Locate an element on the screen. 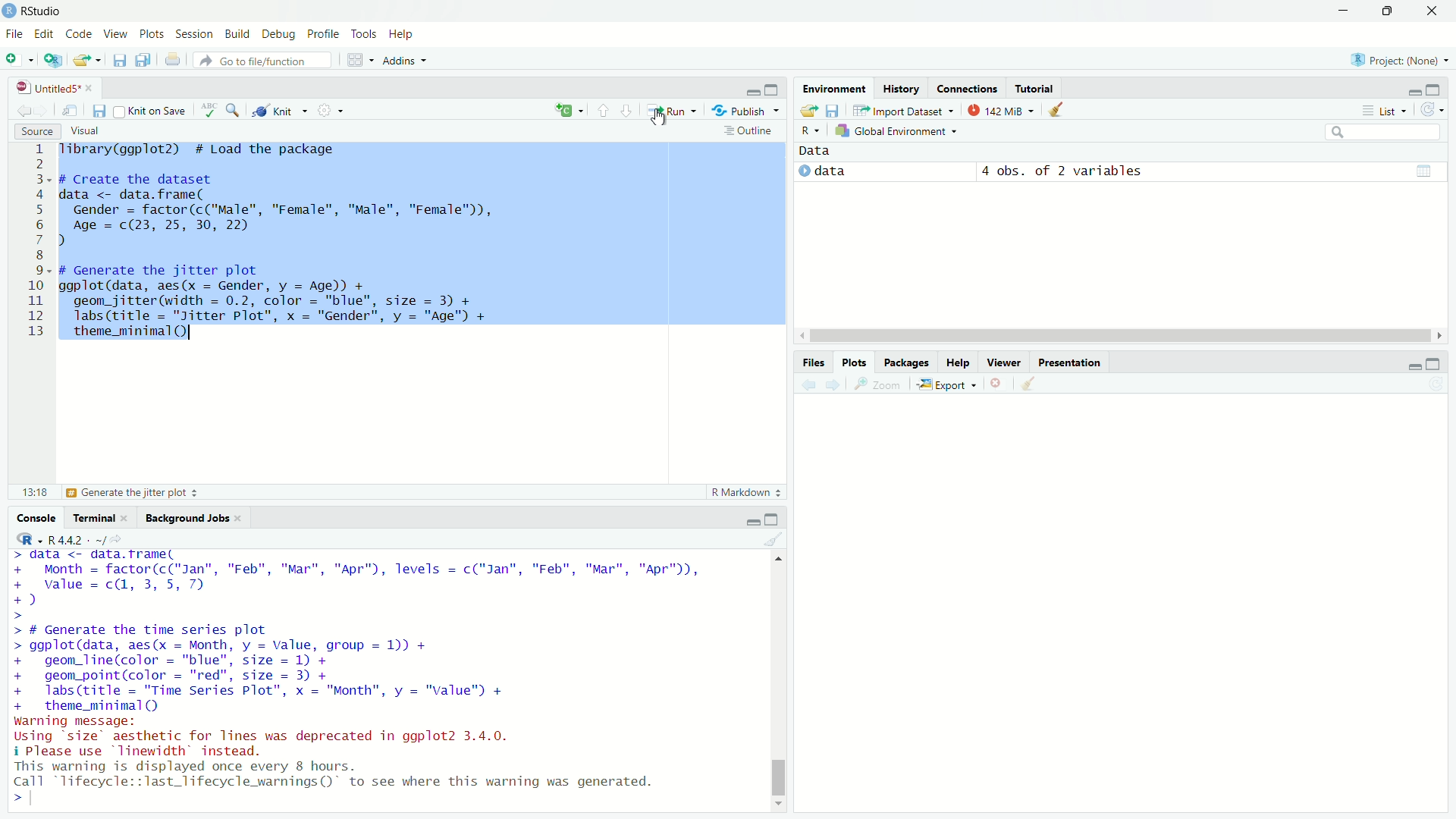 The image size is (1456, 819). file is located at coordinates (14, 34).